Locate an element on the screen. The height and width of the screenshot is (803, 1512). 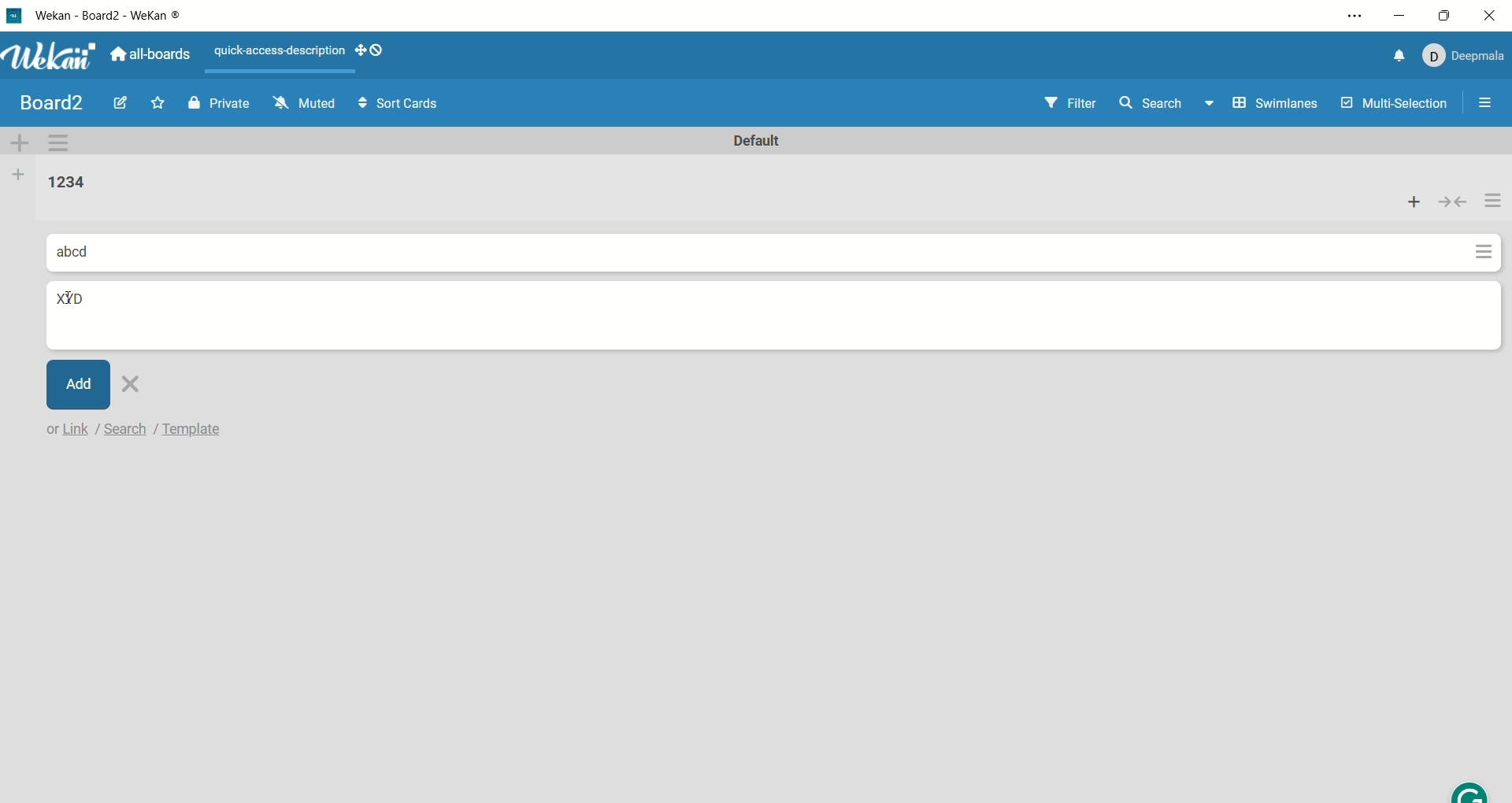
swimlane action is located at coordinates (65, 141).